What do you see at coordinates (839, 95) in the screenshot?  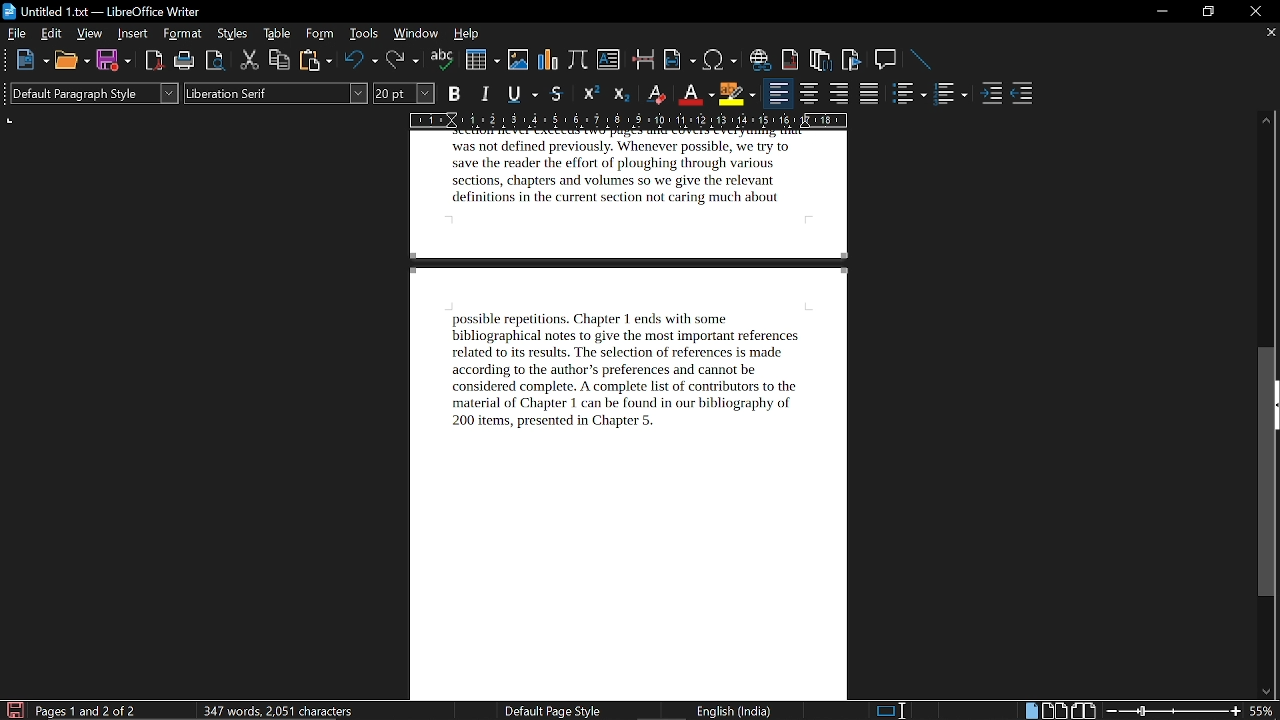 I see `align right` at bounding box center [839, 95].